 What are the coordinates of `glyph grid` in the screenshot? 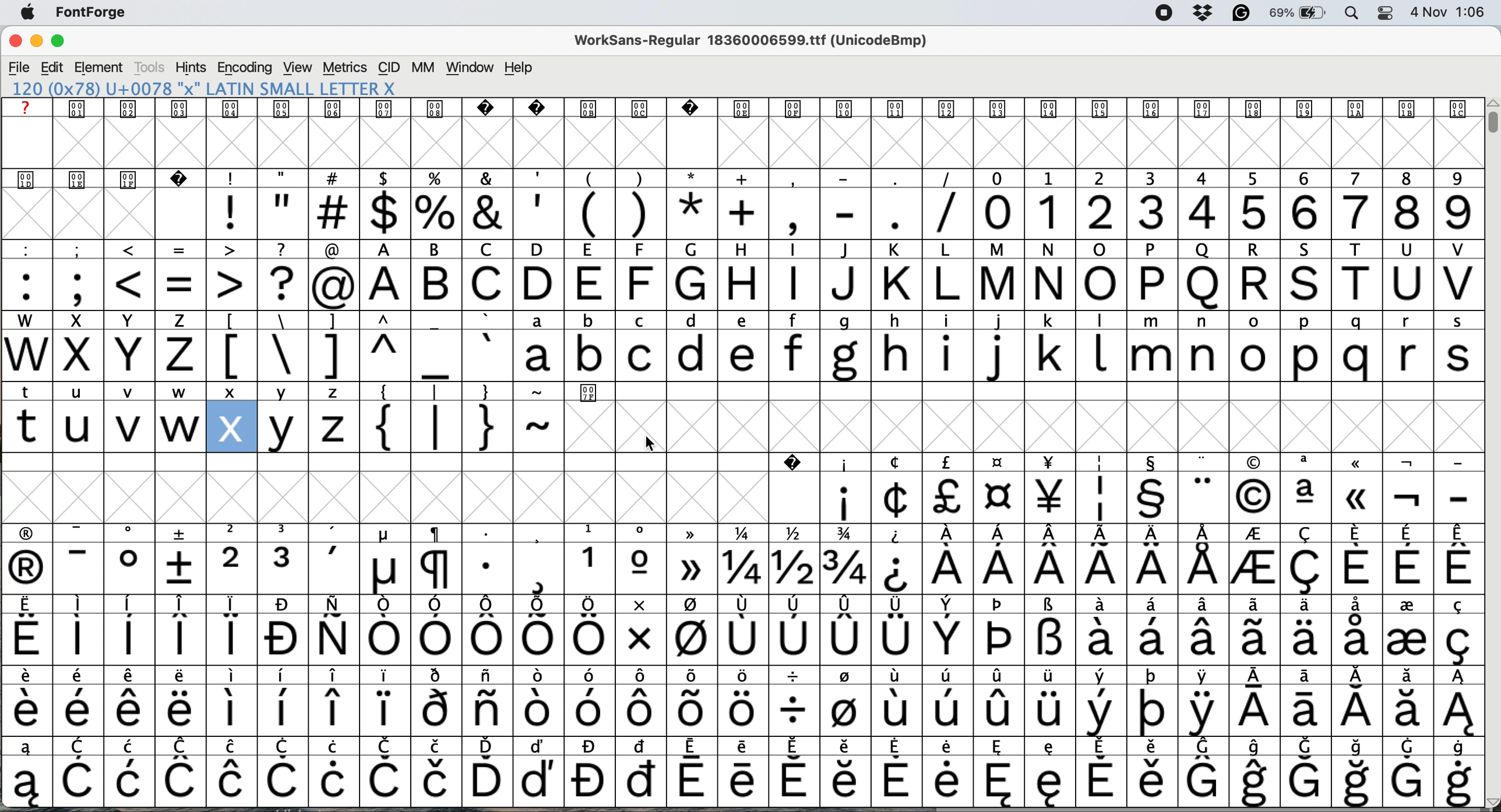 It's located at (749, 144).